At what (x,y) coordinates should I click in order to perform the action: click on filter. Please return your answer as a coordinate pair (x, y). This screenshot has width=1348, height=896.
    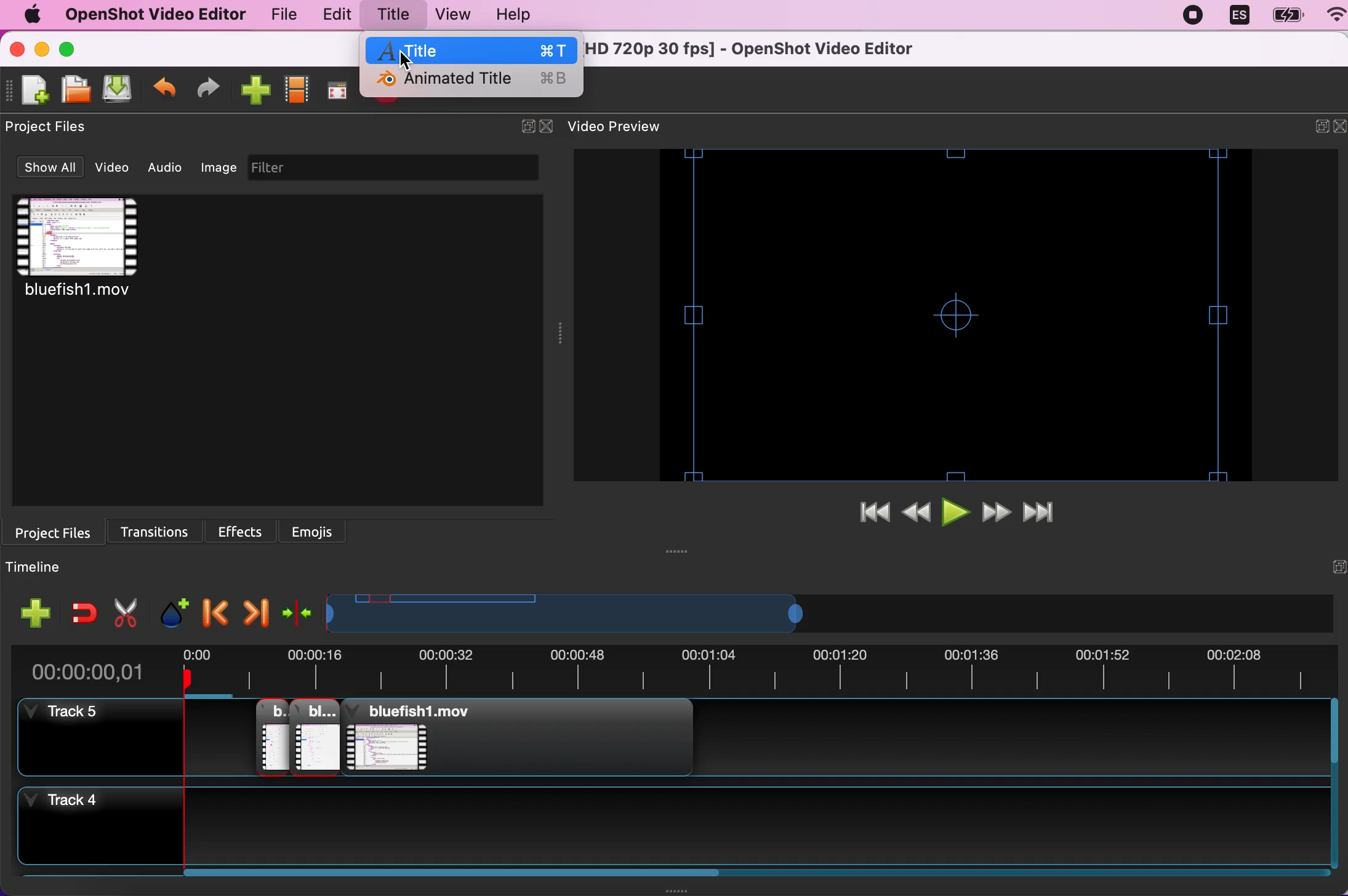
    Looking at the image, I should click on (406, 167).